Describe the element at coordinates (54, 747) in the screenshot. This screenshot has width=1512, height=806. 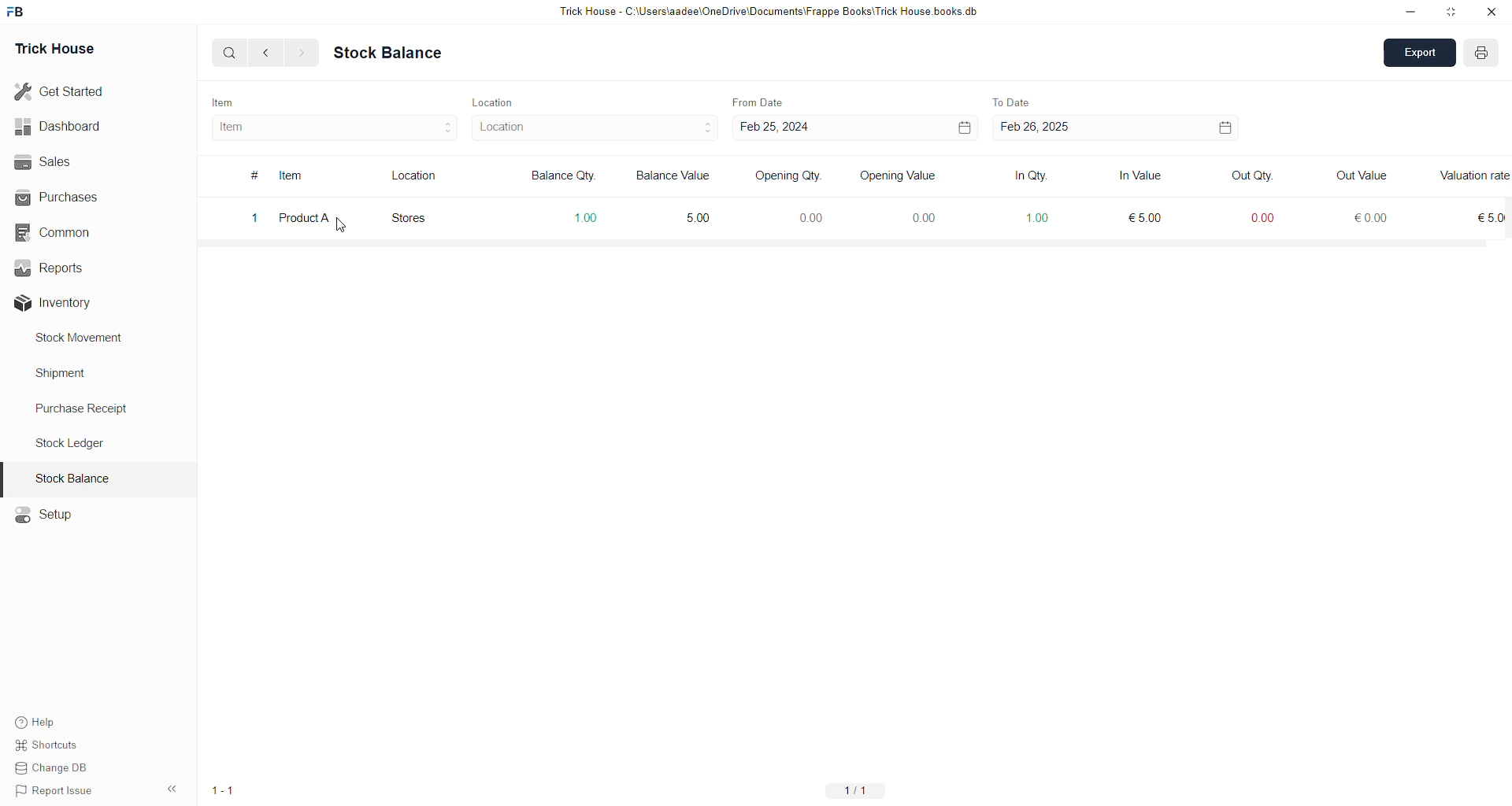
I see `Shortcuts` at that location.